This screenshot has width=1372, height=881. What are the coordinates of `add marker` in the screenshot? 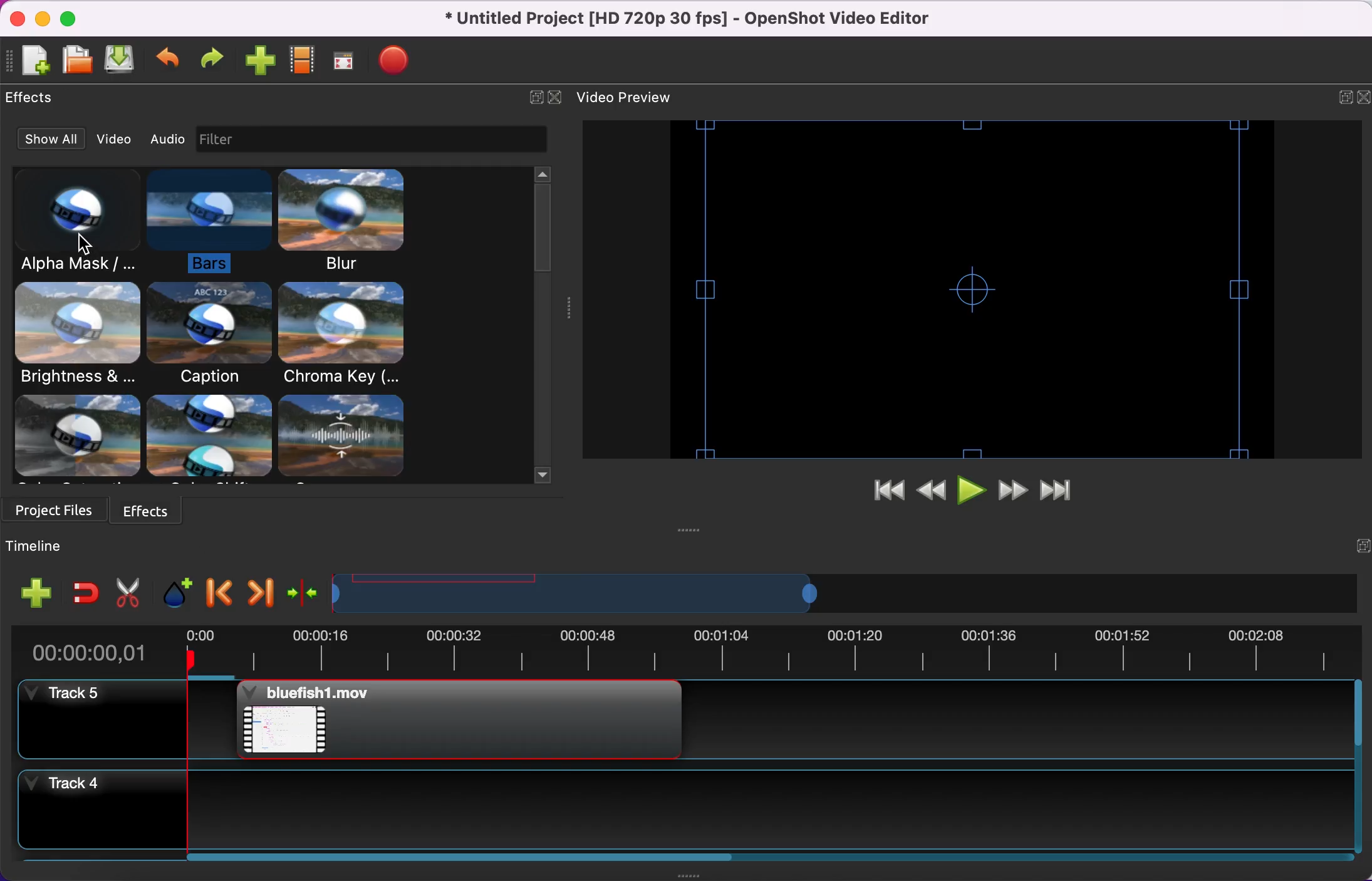 It's located at (173, 591).